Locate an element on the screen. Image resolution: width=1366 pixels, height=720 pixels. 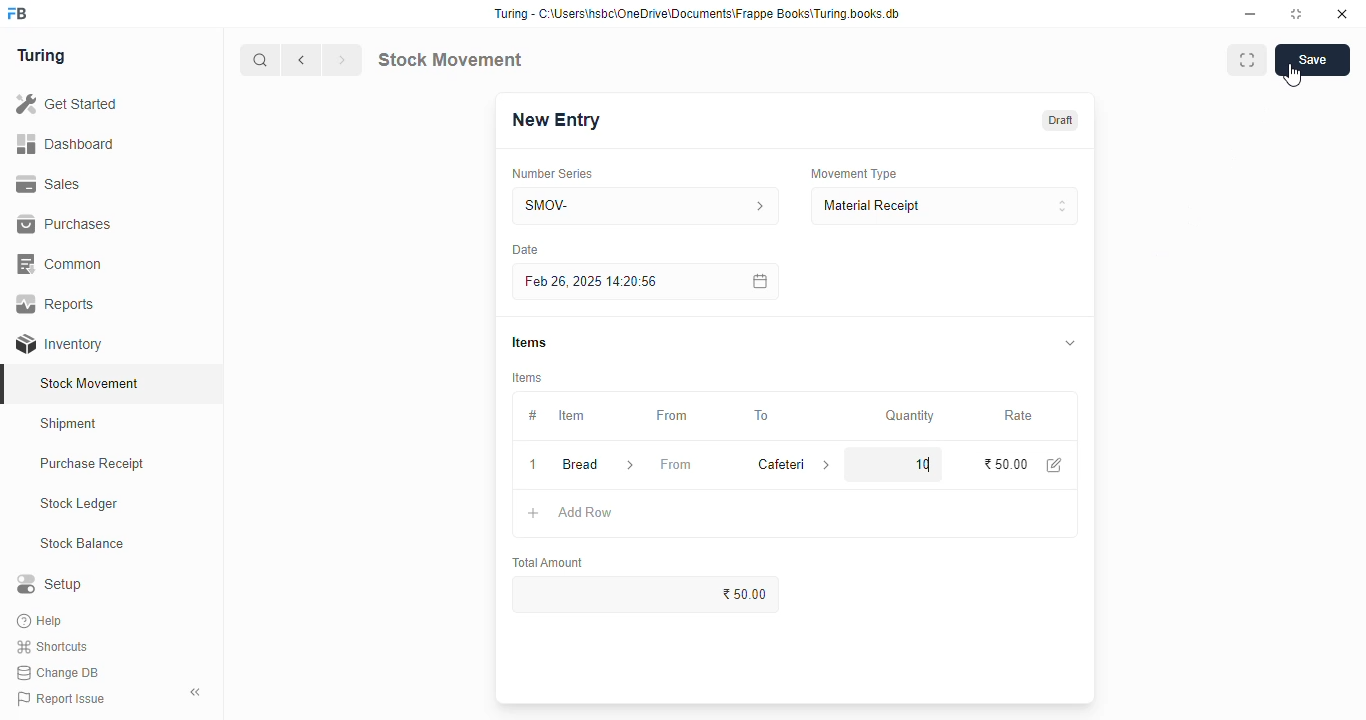
purchase receipt is located at coordinates (92, 463).